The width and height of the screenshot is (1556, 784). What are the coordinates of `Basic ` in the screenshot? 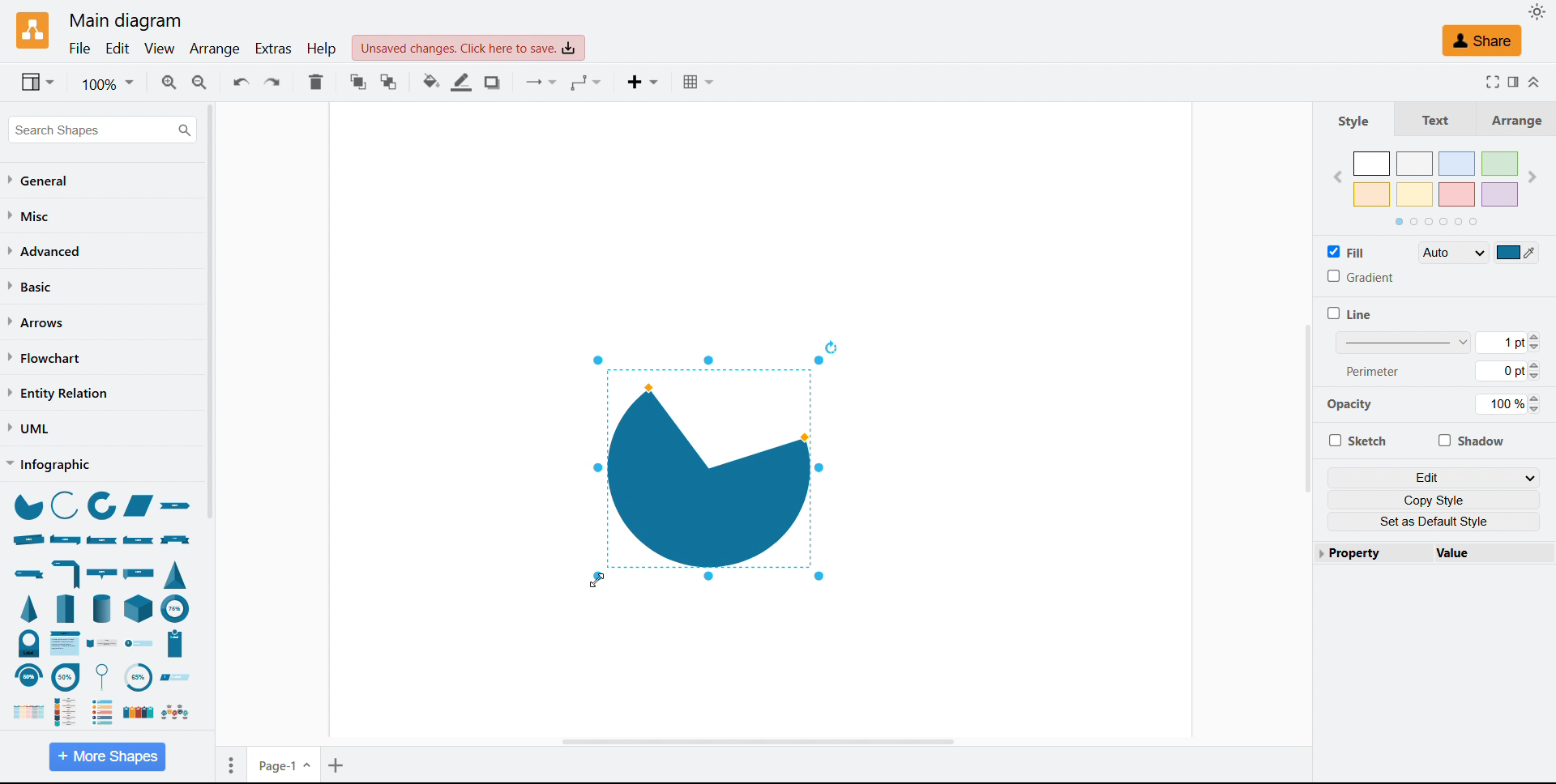 It's located at (32, 286).